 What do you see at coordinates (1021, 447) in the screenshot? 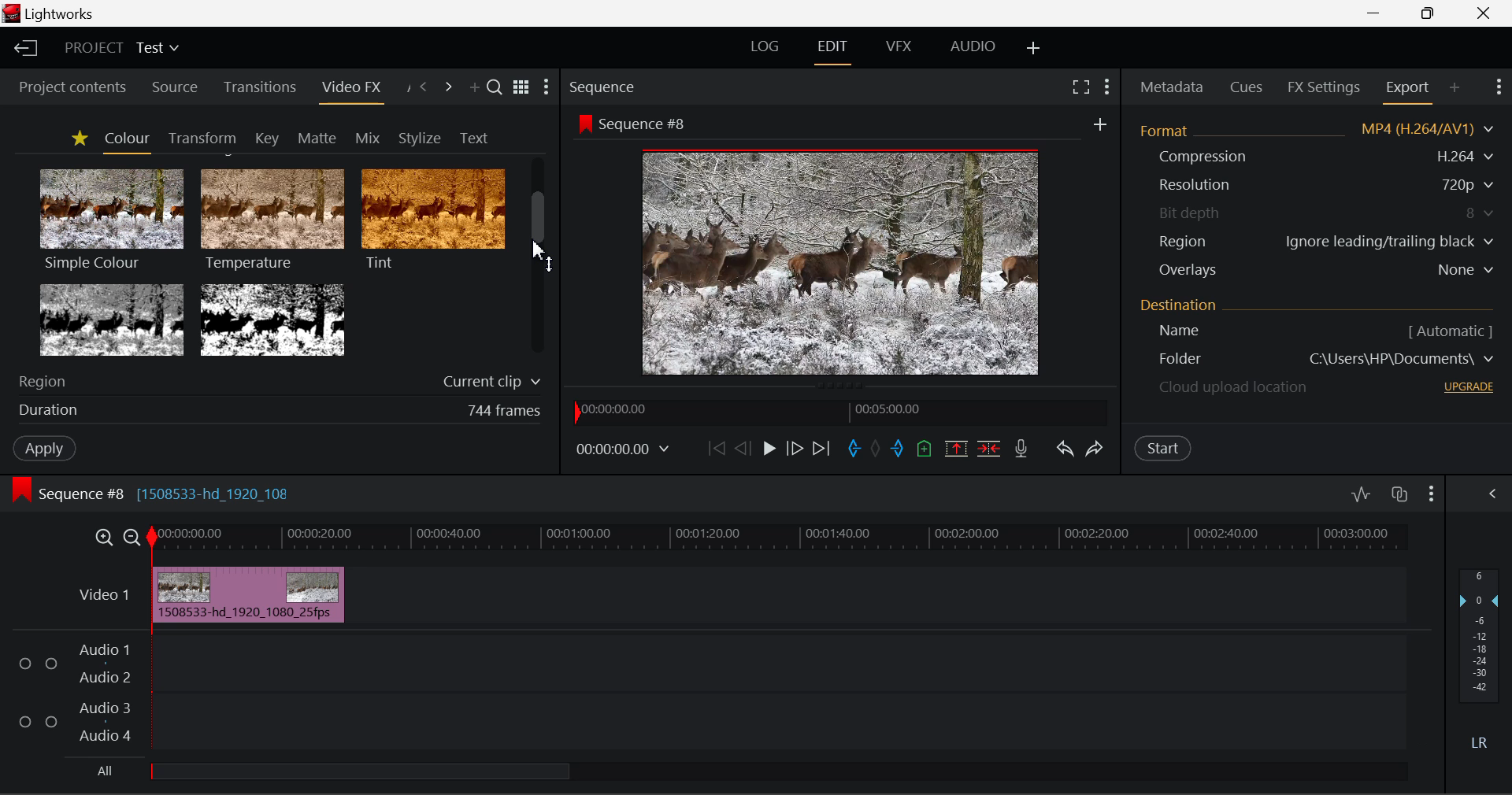
I see `Record Voiceover` at bounding box center [1021, 447].